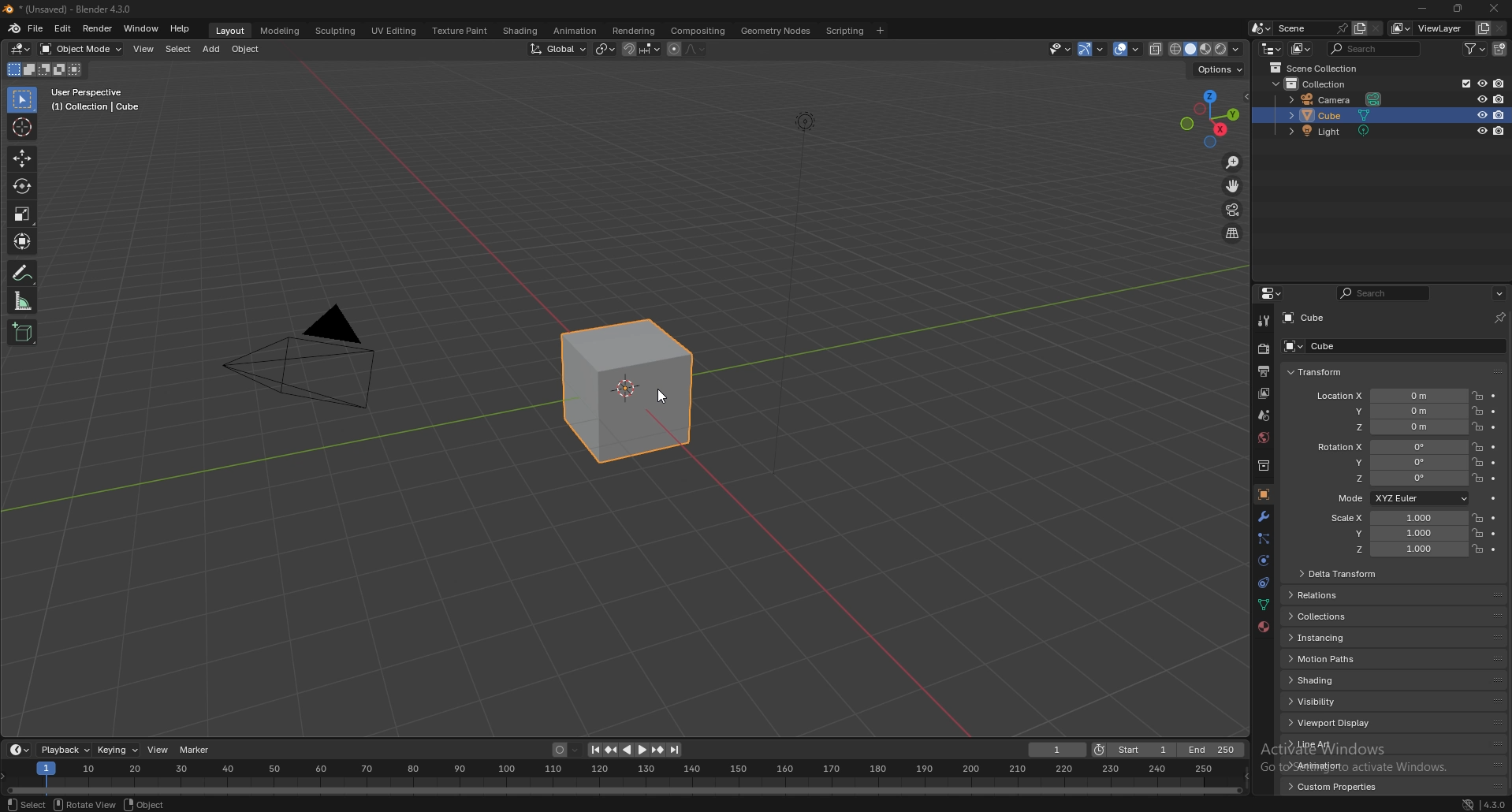 Image resolution: width=1512 pixels, height=812 pixels. Describe the element at coordinates (1234, 163) in the screenshot. I see `zoom` at that location.